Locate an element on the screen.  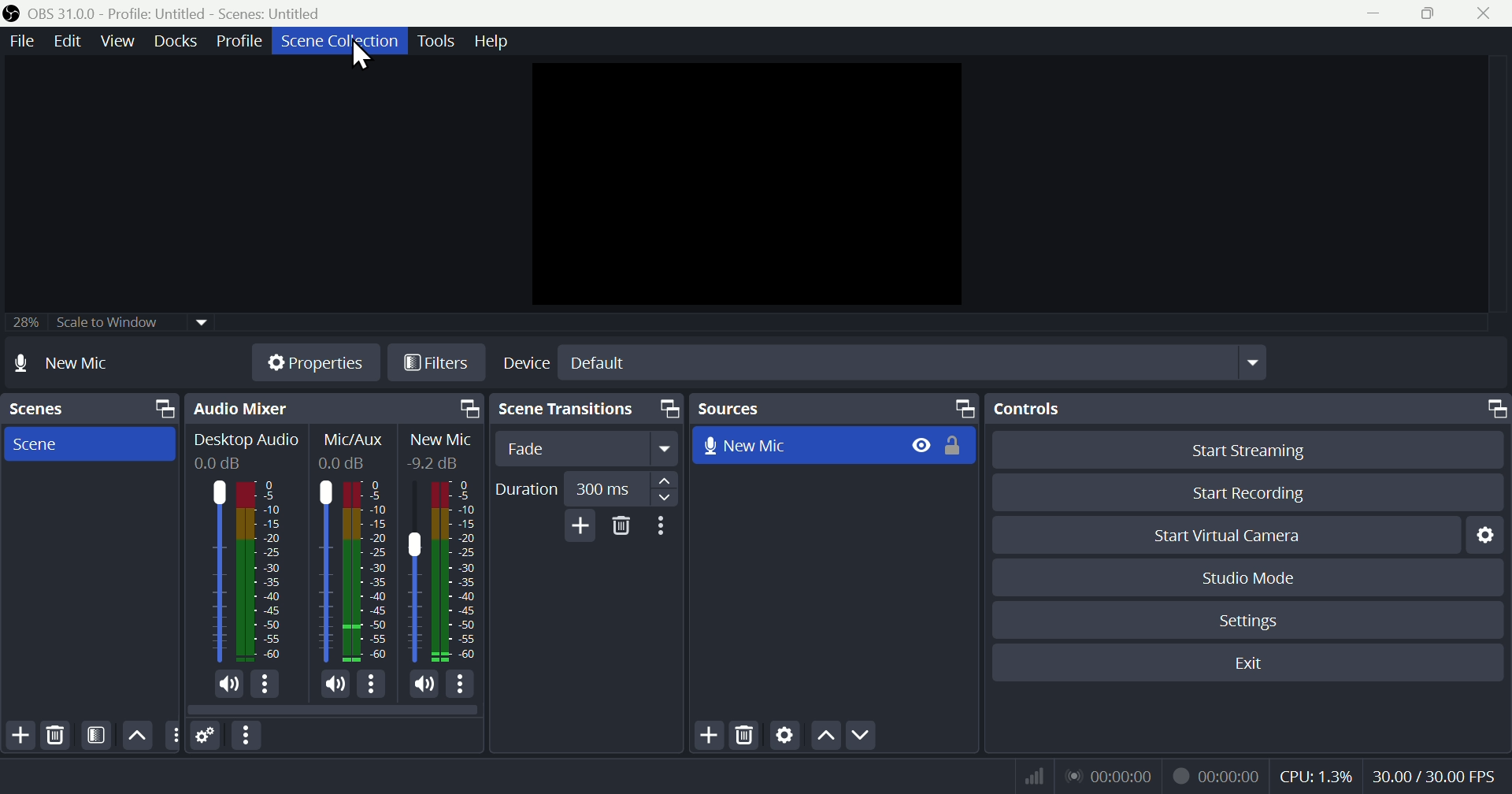
Frame Per Second is located at coordinates (1435, 777).